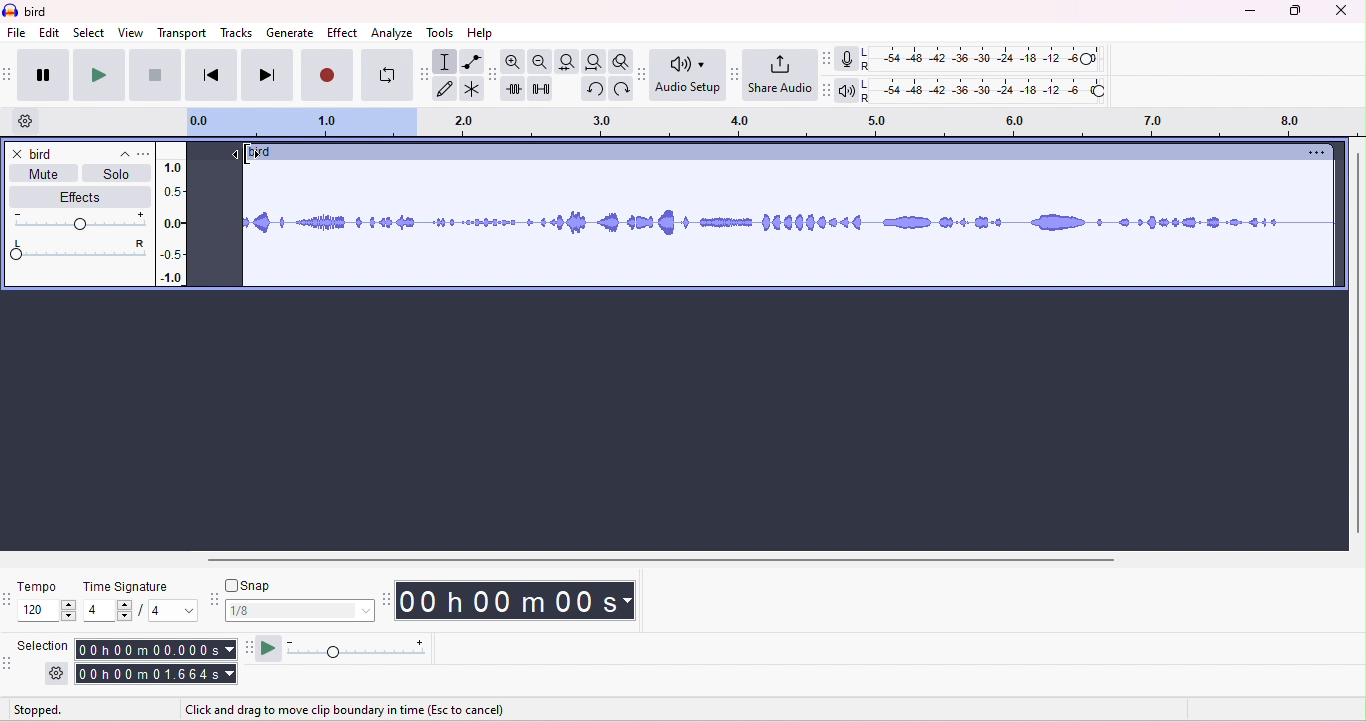  What do you see at coordinates (172, 217) in the screenshot?
I see `amplitude` at bounding box center [172, 217].